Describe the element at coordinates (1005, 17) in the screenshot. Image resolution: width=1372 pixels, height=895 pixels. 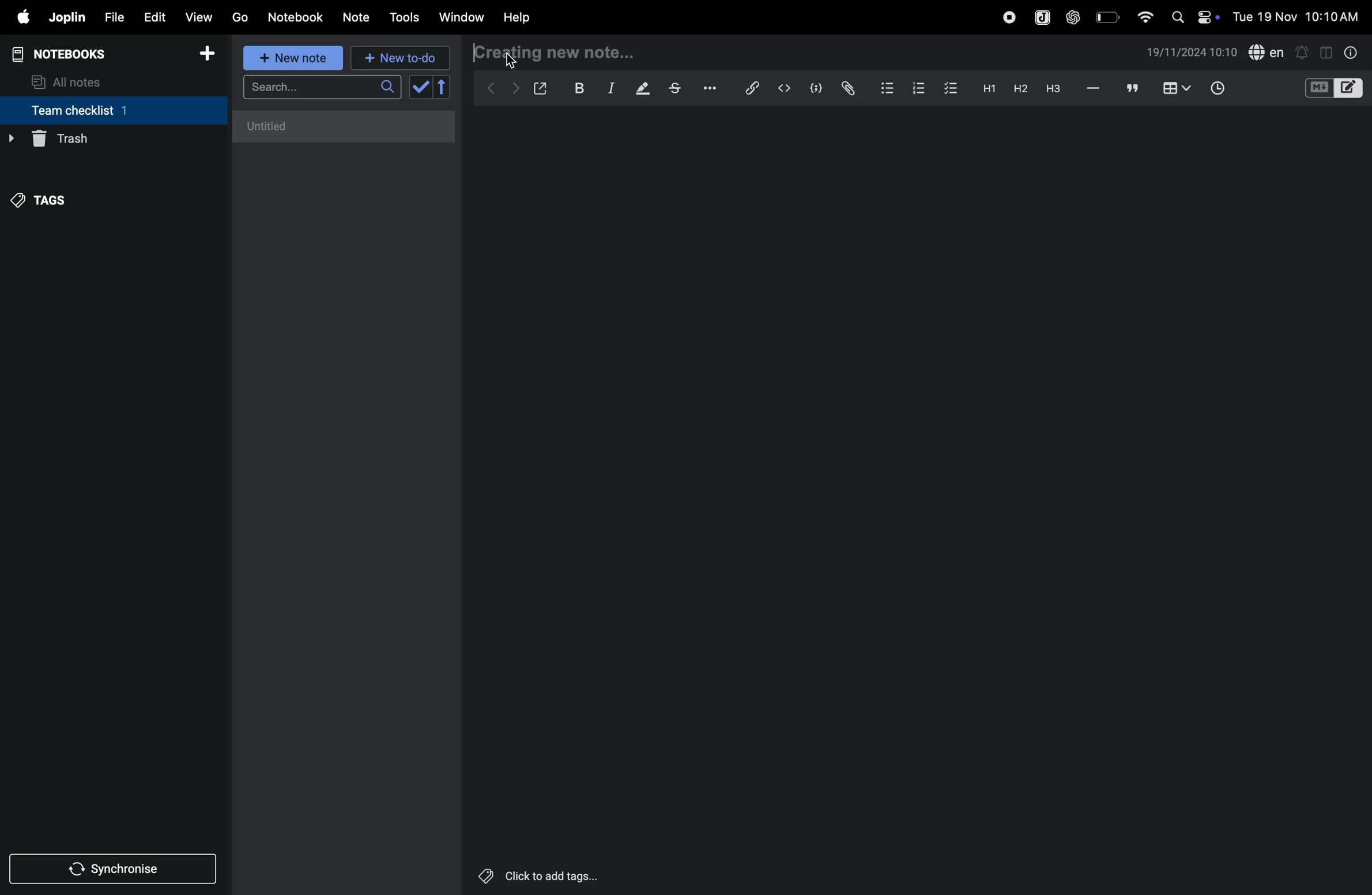
I see `record` at that location.